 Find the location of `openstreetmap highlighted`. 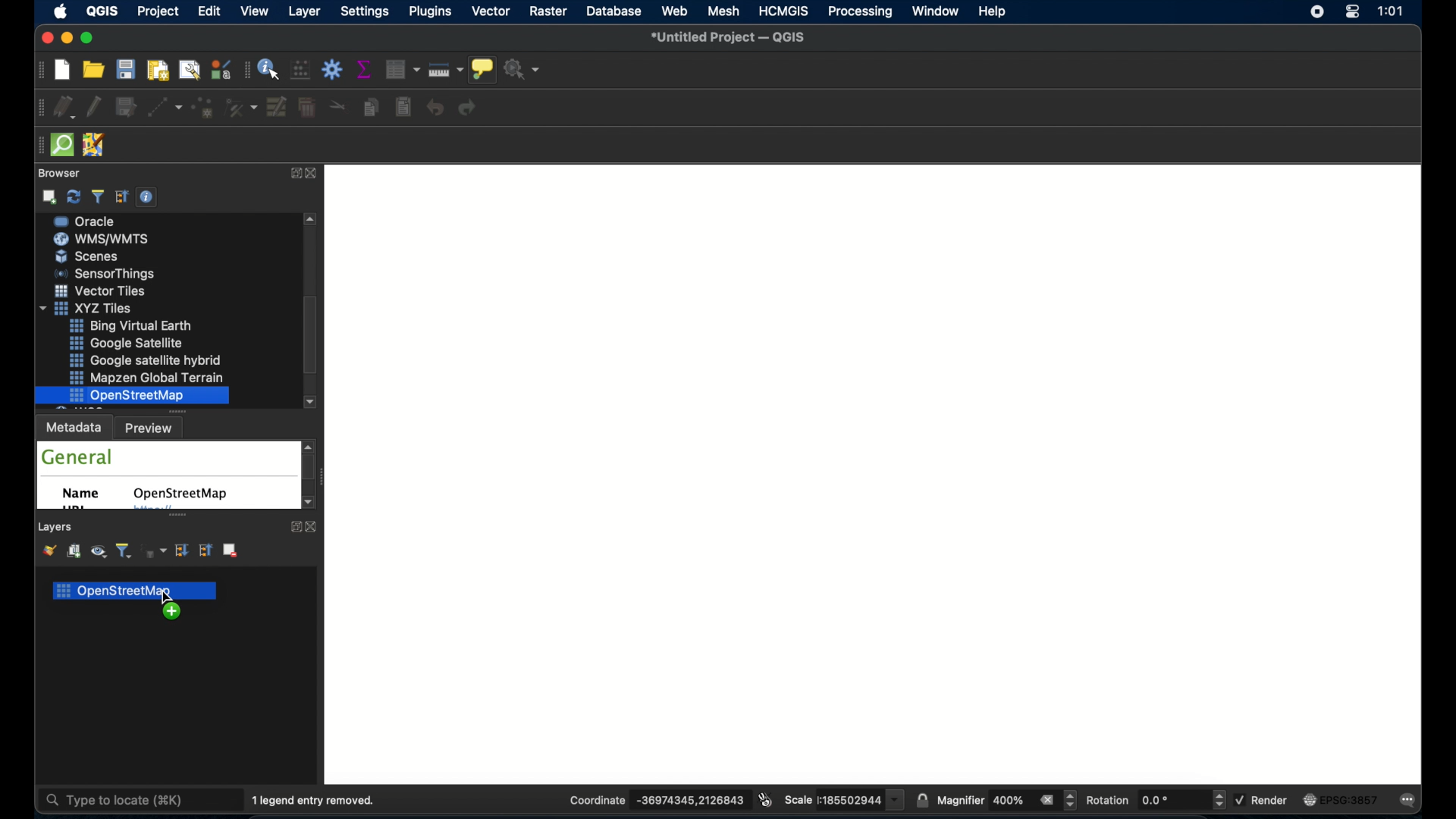

openstreetmap highlighted is located at coordinates (132, 396).